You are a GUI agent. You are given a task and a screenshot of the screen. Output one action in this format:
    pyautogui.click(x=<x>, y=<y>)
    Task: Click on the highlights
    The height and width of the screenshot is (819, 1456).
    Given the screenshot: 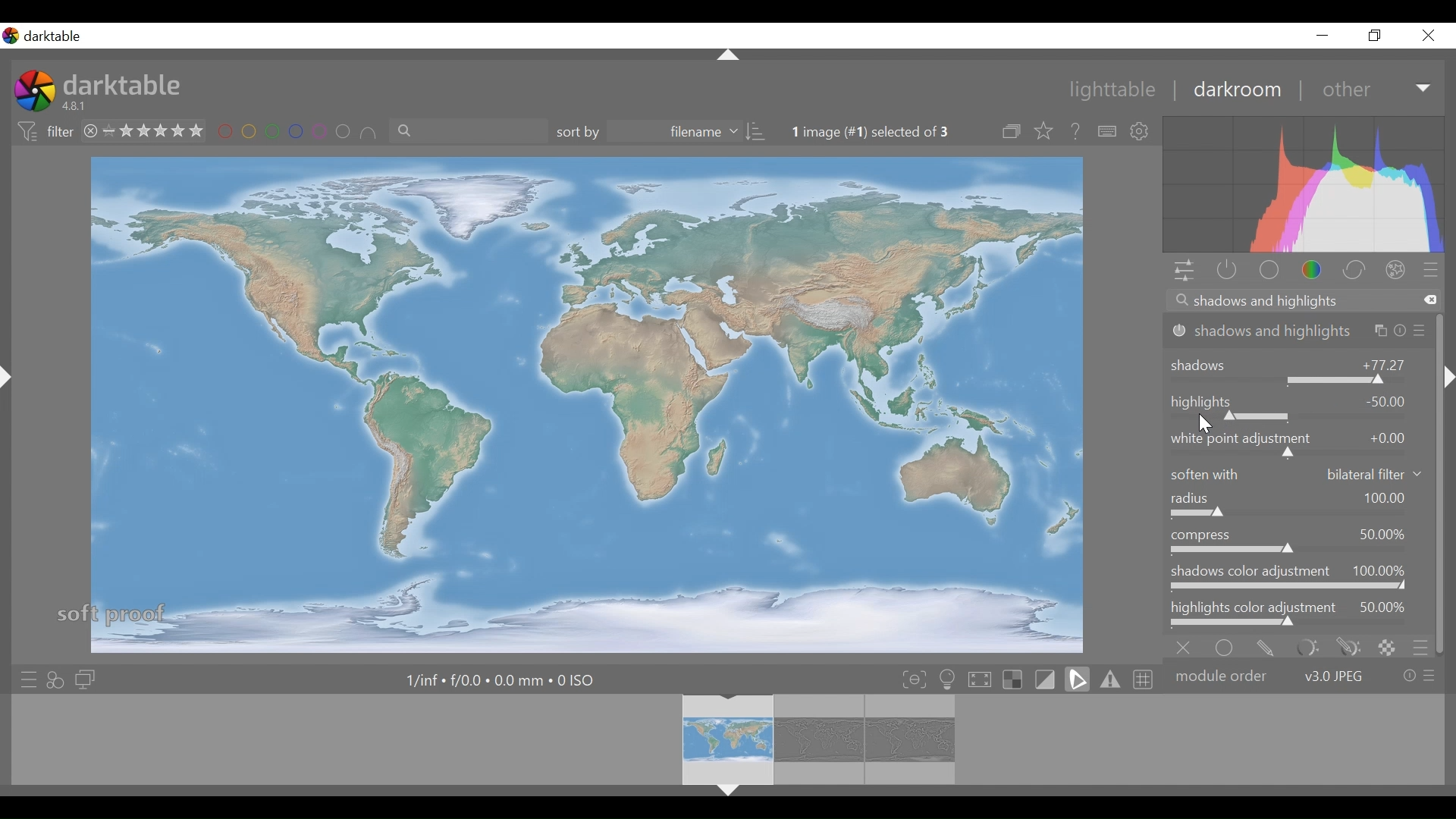 What is the action you would take?
    pyautogui.click(x=1298, y=406)
    